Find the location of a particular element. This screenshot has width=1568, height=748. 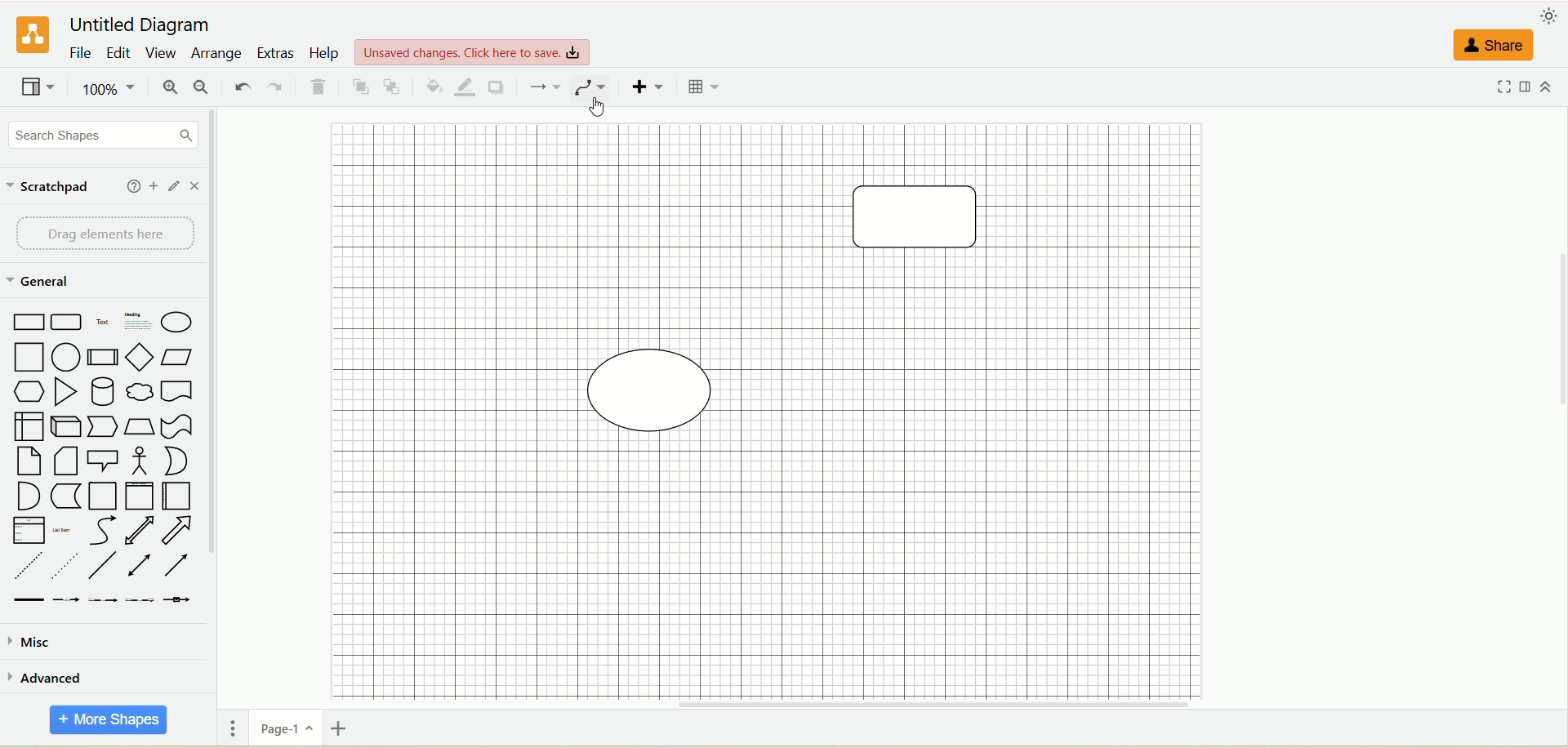

page-1 is located at coordinates (283, 728).